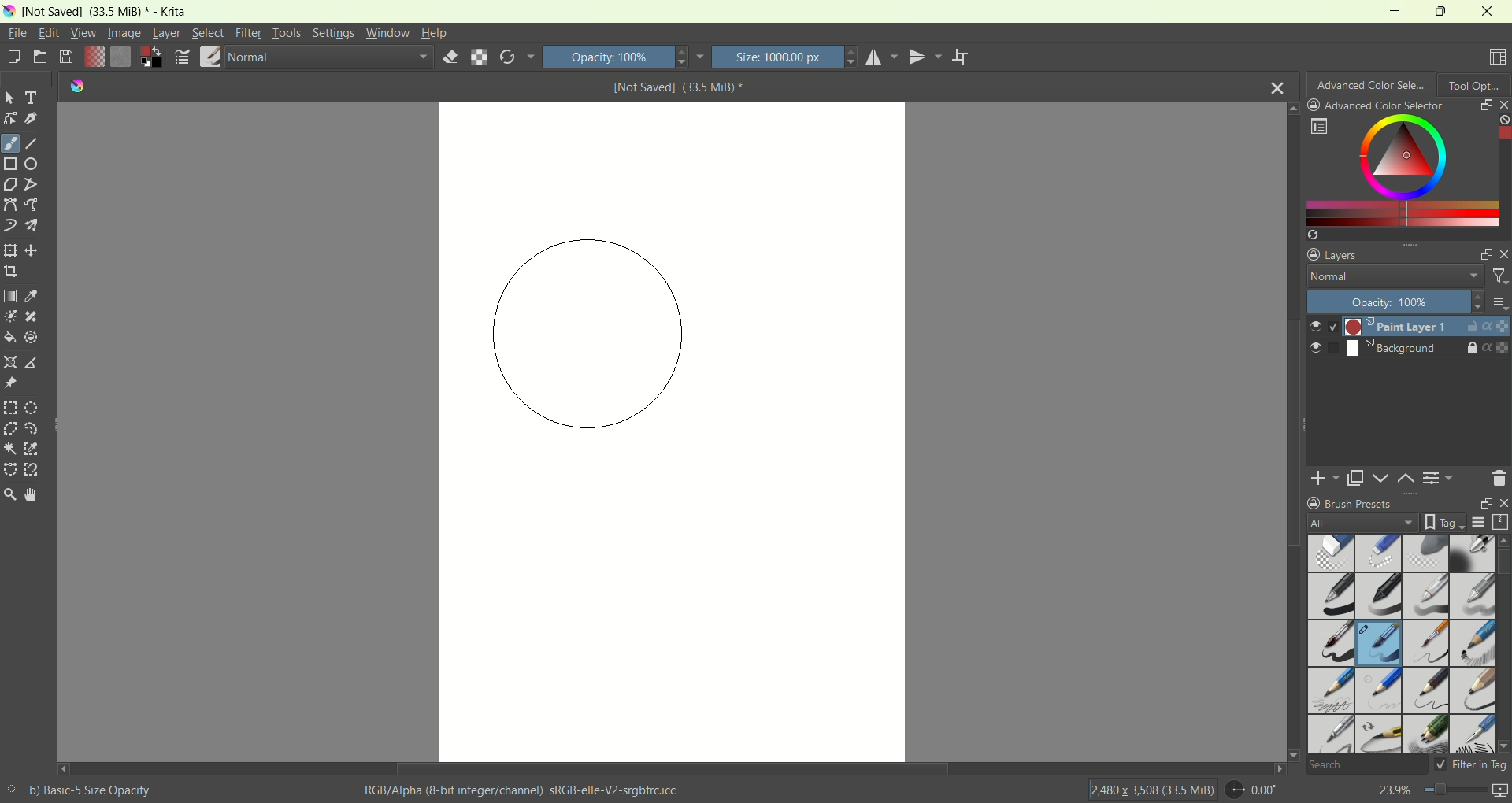  Describe the element at coordinates (679, 87) in the screenshot. I see `[Not Saved] (33.5 MiB) *` at that location.